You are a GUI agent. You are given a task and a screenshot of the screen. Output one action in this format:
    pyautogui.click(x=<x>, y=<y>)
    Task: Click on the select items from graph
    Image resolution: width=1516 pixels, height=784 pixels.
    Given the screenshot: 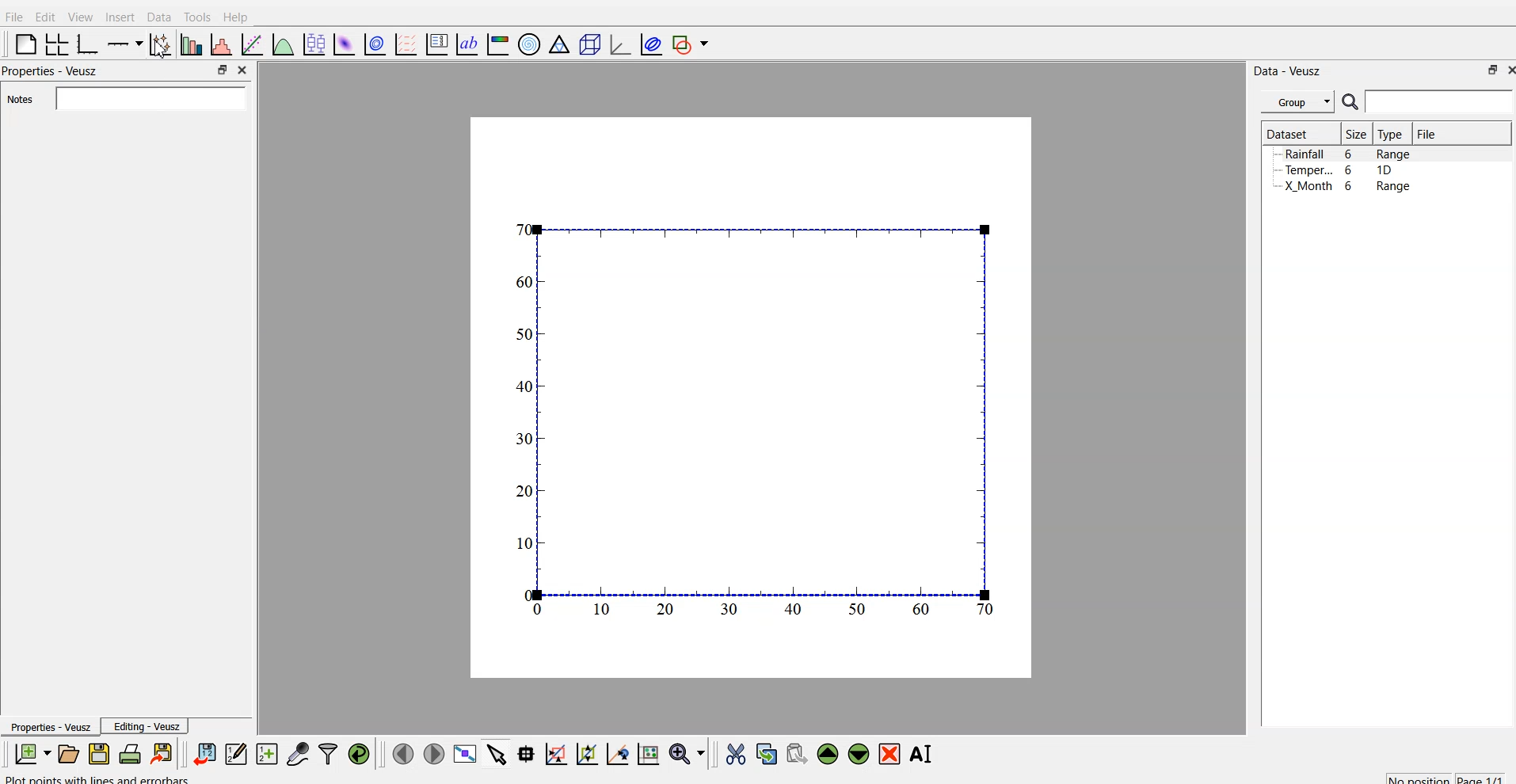 What is the action you would take?
    pyautogui.click(x=495, y=755)
    